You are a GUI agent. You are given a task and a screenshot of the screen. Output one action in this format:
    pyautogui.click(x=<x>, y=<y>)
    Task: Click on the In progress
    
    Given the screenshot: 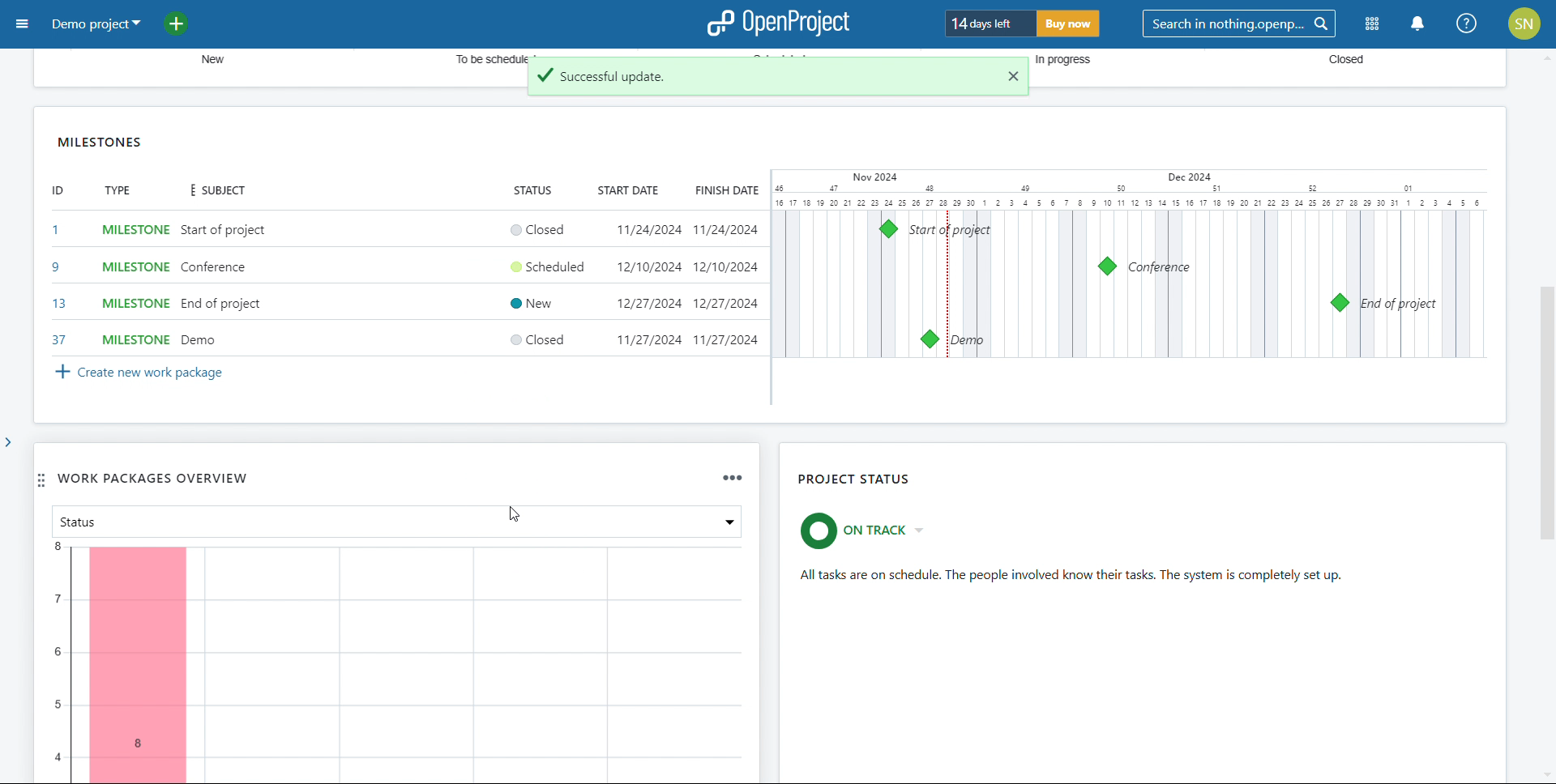 What is the action you would take?
    pyautogui.click(x=1075, y=61)
    